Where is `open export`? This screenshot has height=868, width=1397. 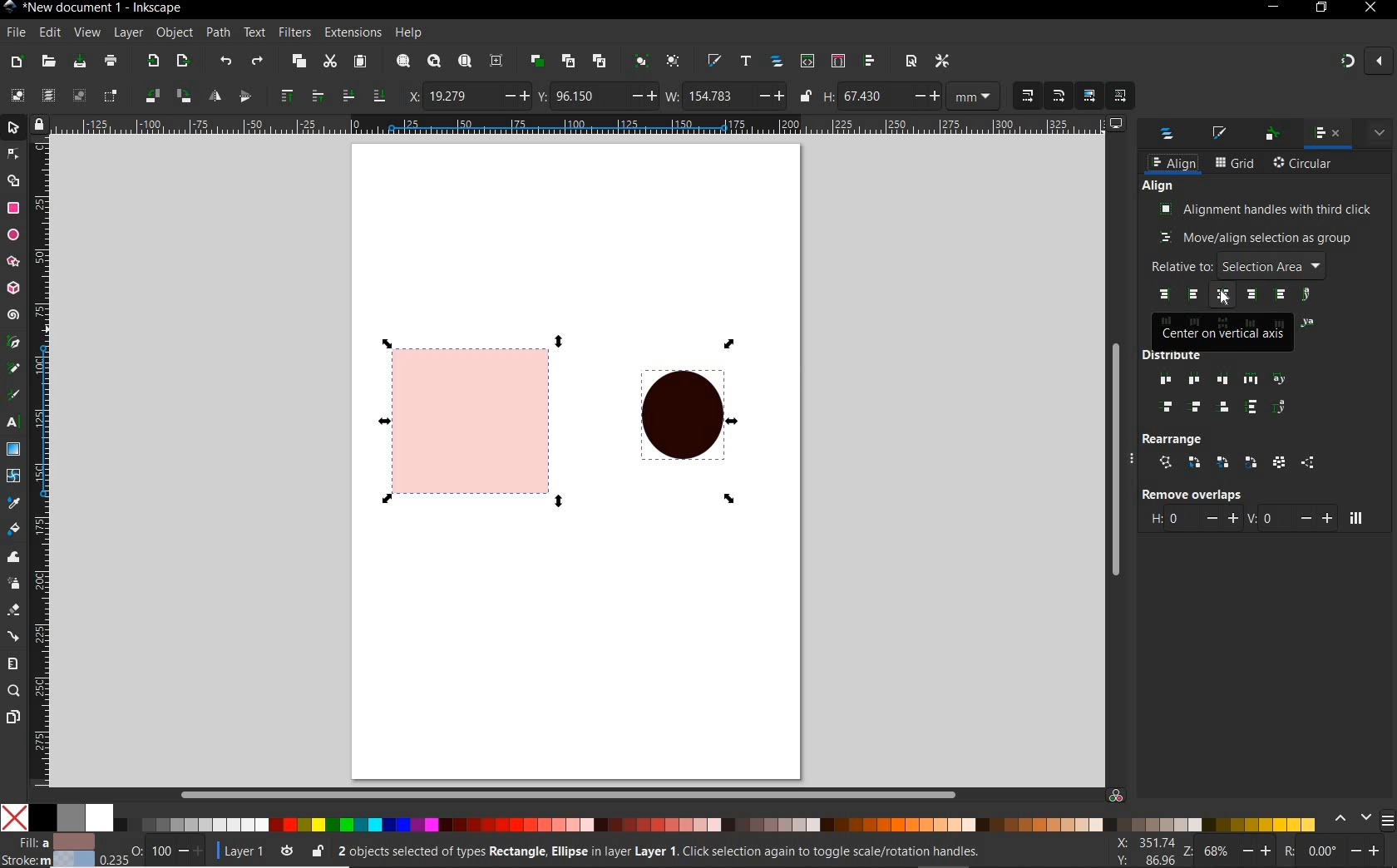
open export is located at coordinates (183, 61).